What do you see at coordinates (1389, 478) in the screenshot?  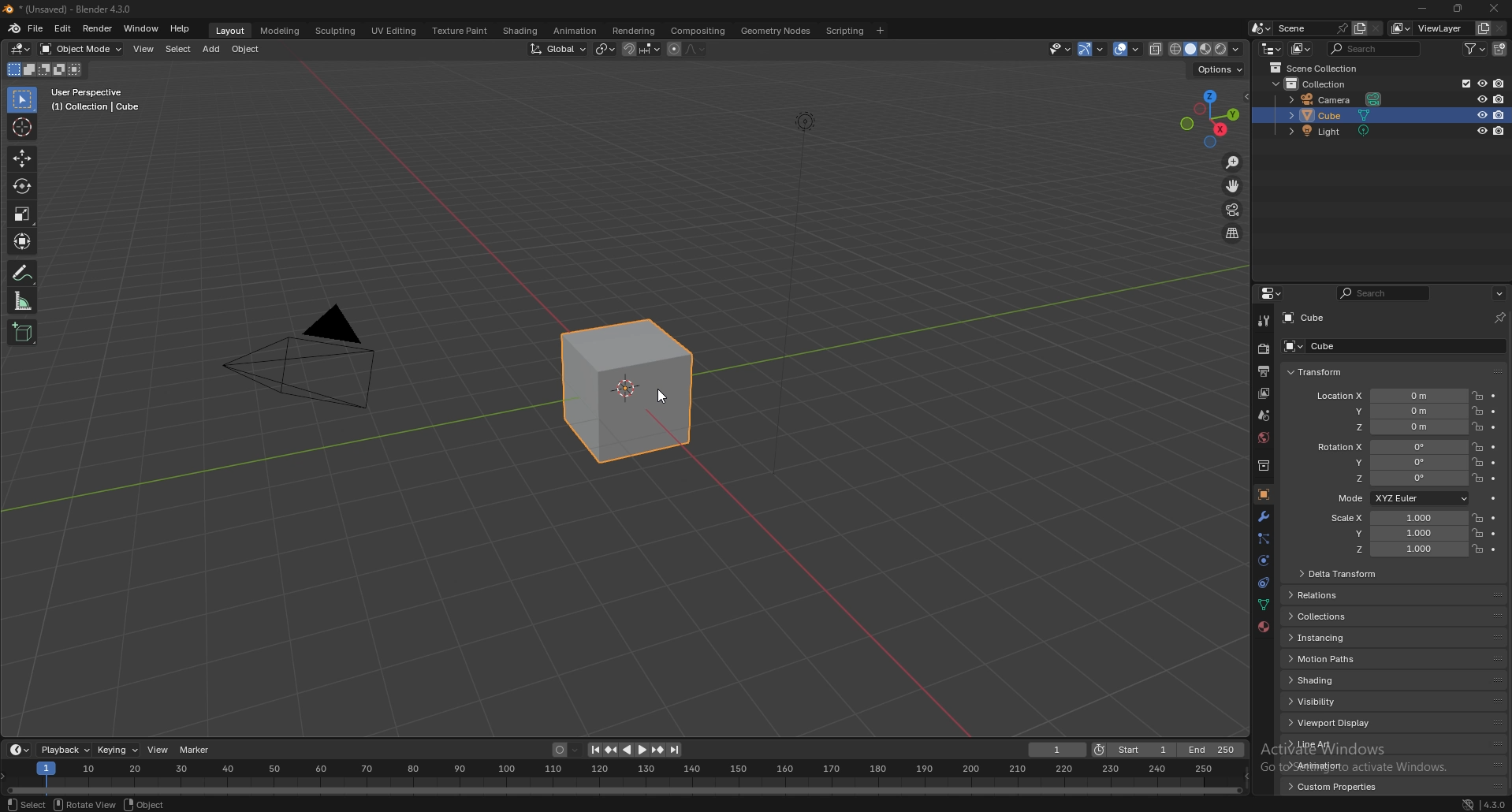 I see `rotation z` at bounding box center [1389, 478].